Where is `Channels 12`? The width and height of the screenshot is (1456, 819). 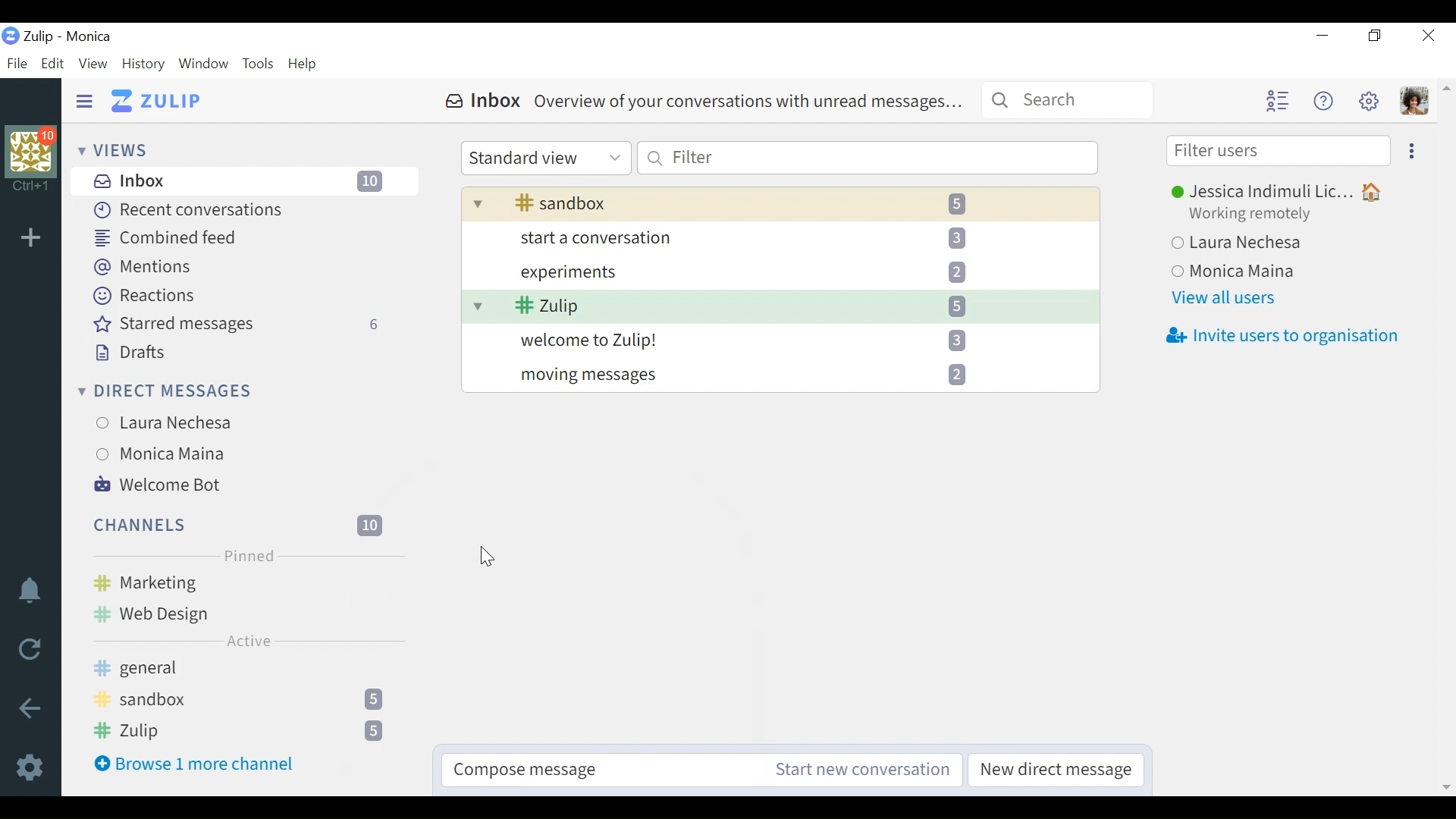
Channels 12 is located at coordinates (240, 524).